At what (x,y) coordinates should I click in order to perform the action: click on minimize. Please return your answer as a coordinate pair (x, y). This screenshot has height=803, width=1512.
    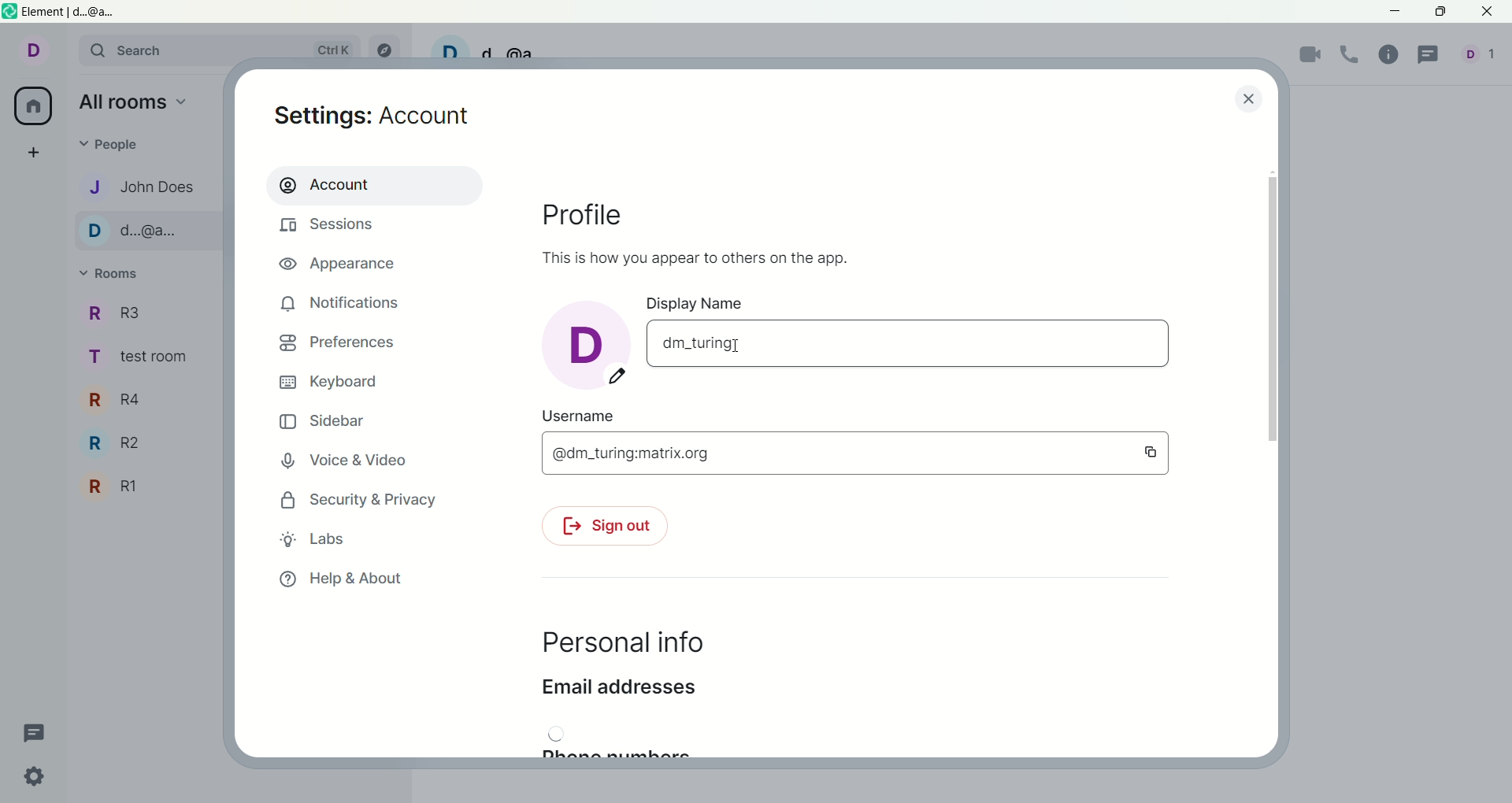
    Looking at the image, I should click on (1396, 13).